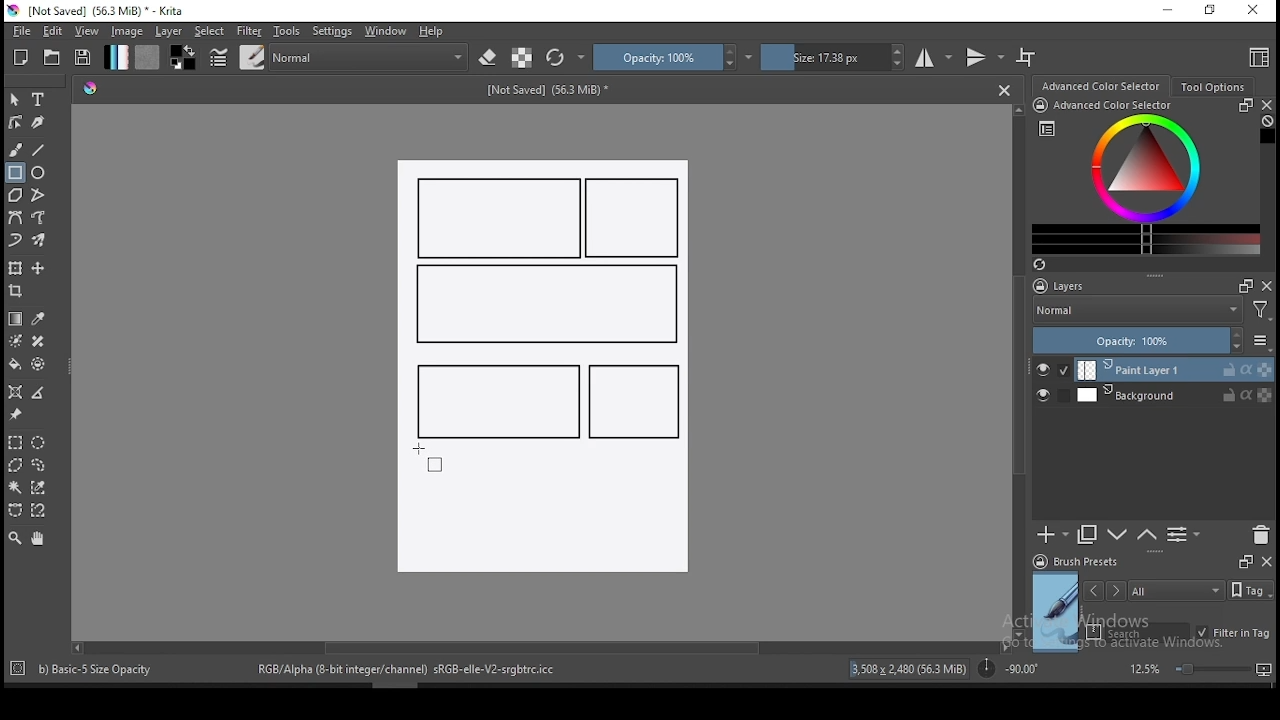  What do you see at coordinates (673, 57) in the screenshot?
I see `opacity` at bounding box center [673, 57].